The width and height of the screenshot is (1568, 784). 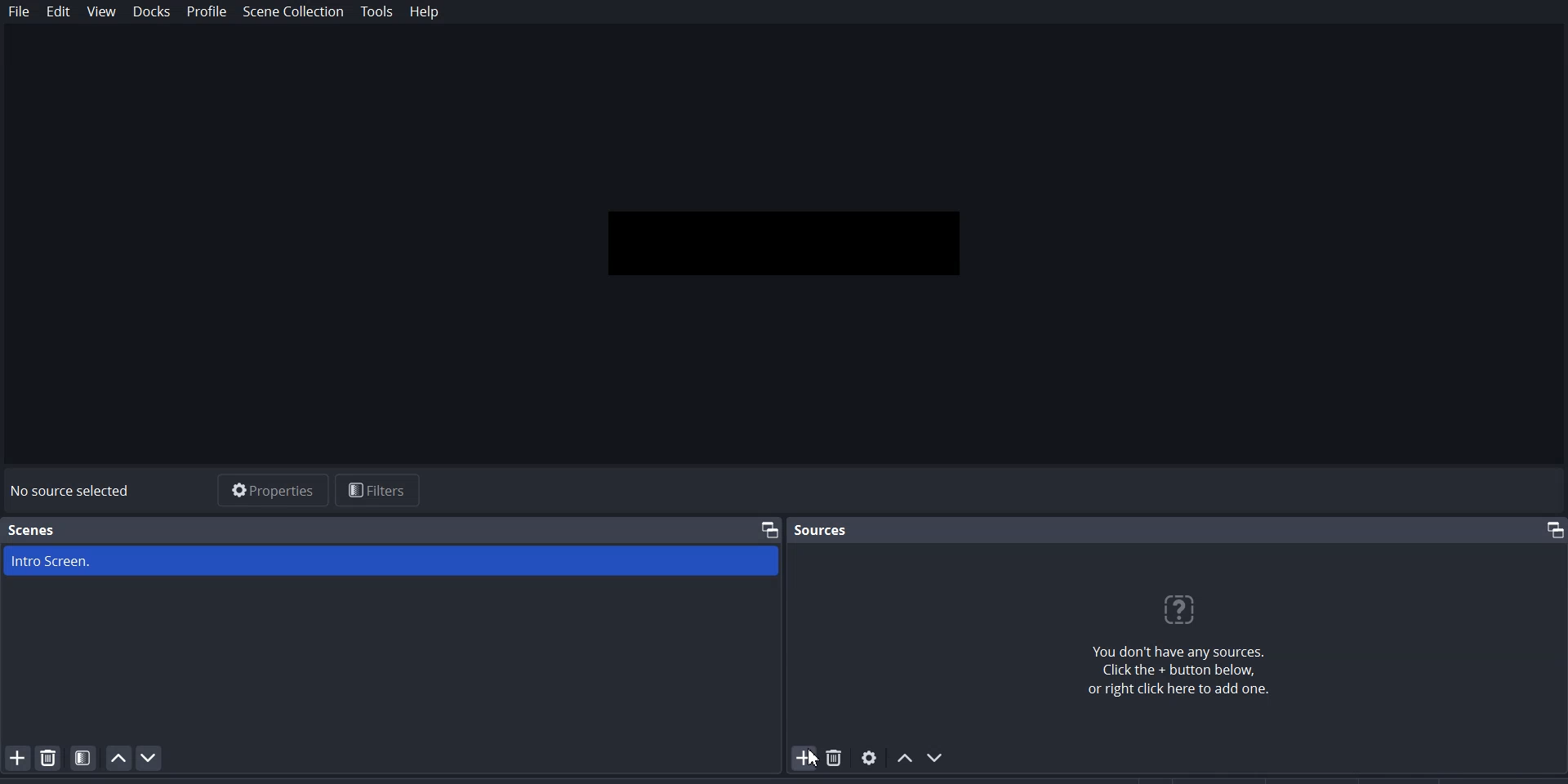 I want to click on Remove Selected Scene, so click(x=49, y=757).